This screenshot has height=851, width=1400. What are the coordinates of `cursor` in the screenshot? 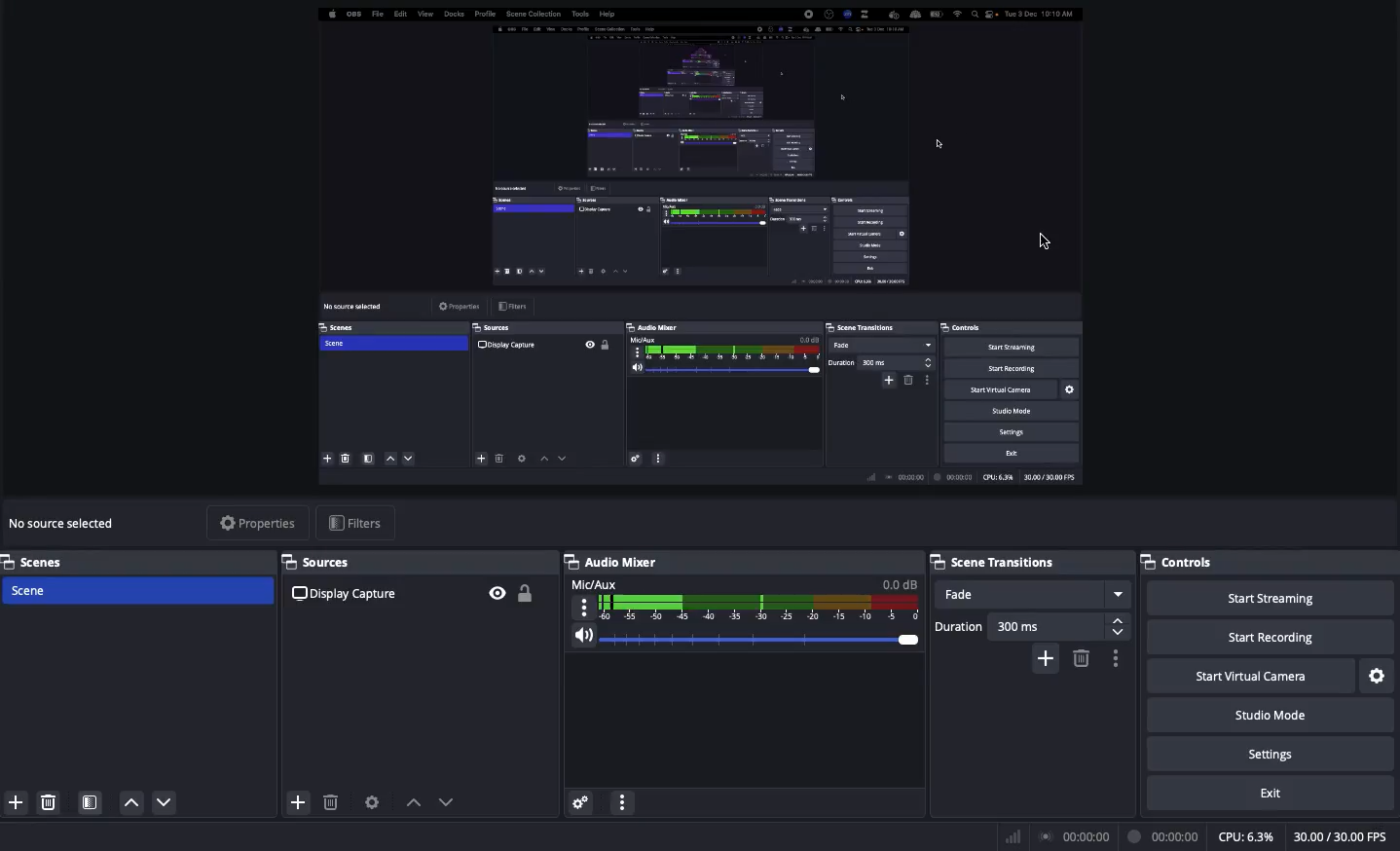 It's located at (1044, 240).